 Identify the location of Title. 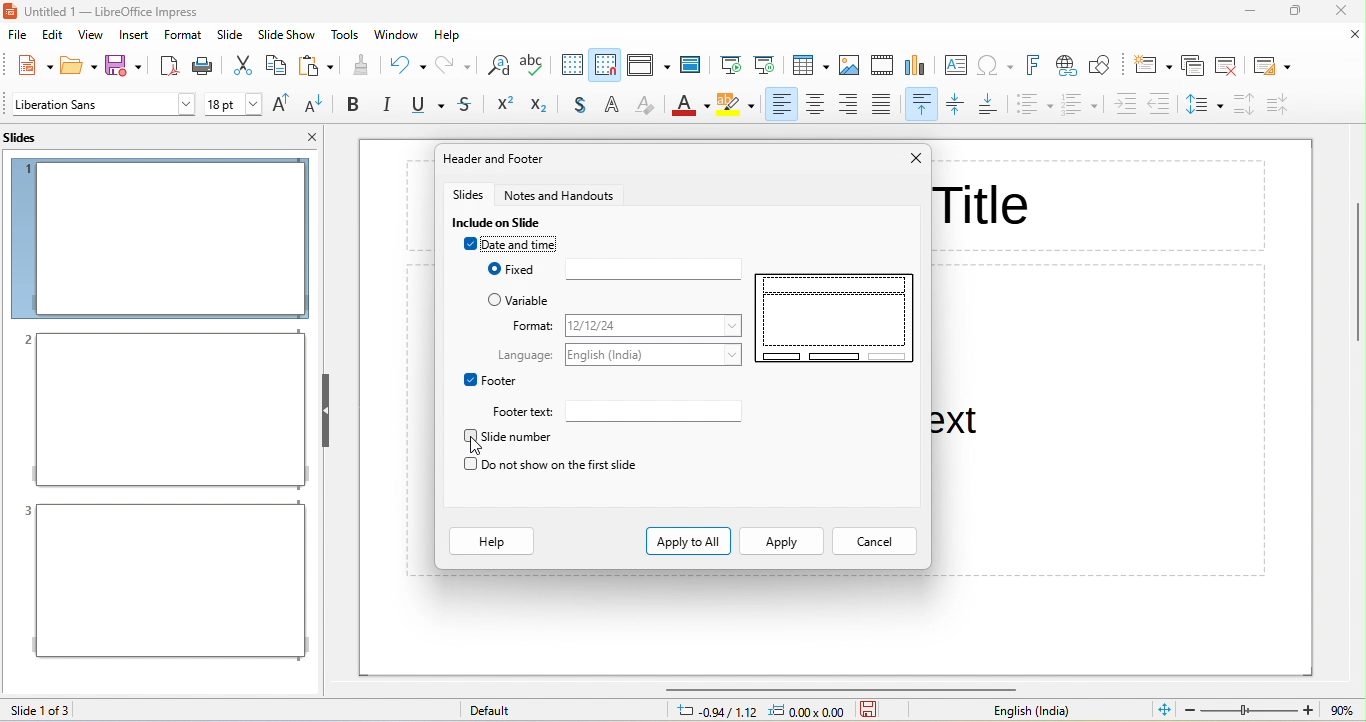
(984, 202).